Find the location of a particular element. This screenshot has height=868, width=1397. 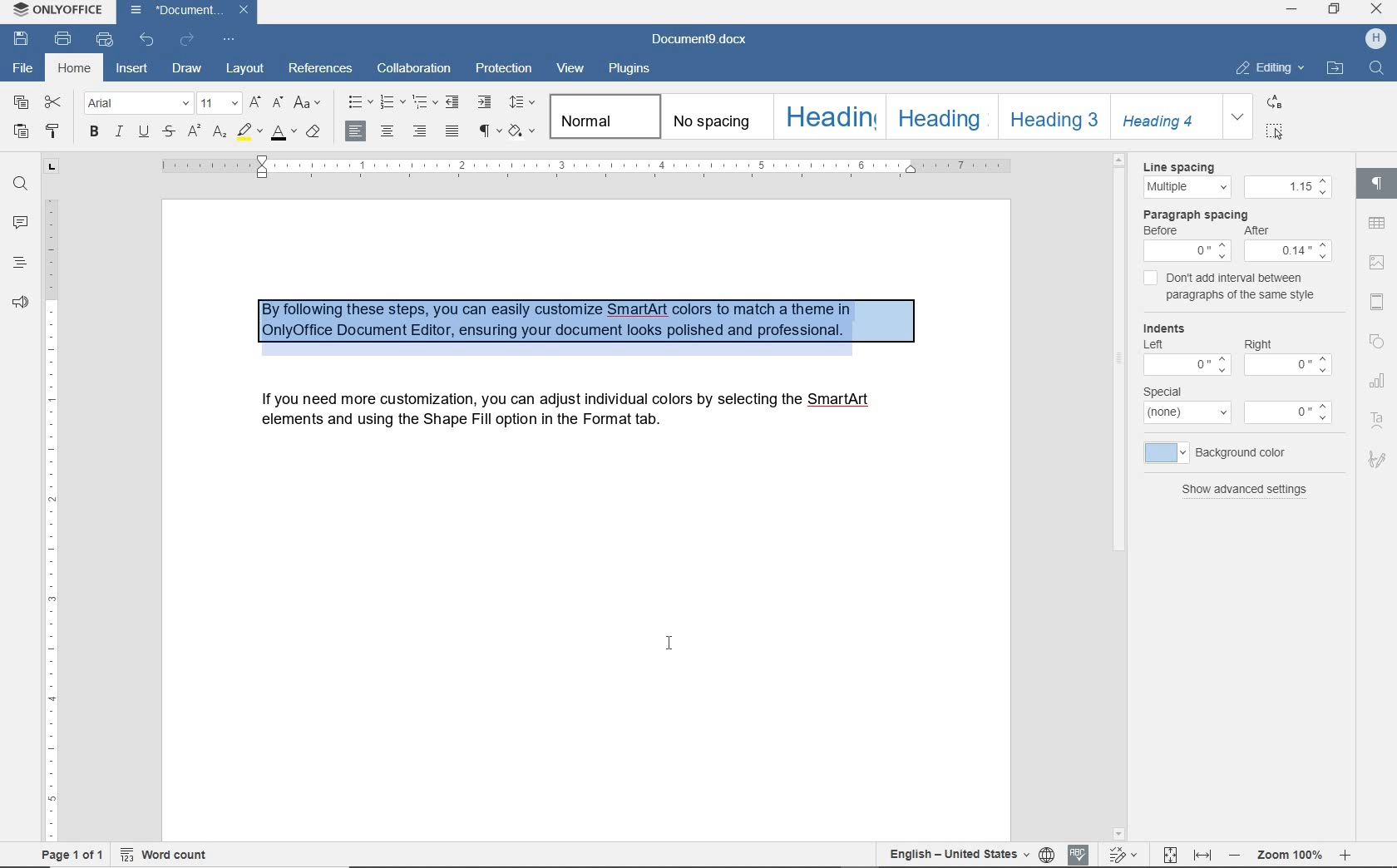

show advanced settings is located at coordinates (1246, 490).